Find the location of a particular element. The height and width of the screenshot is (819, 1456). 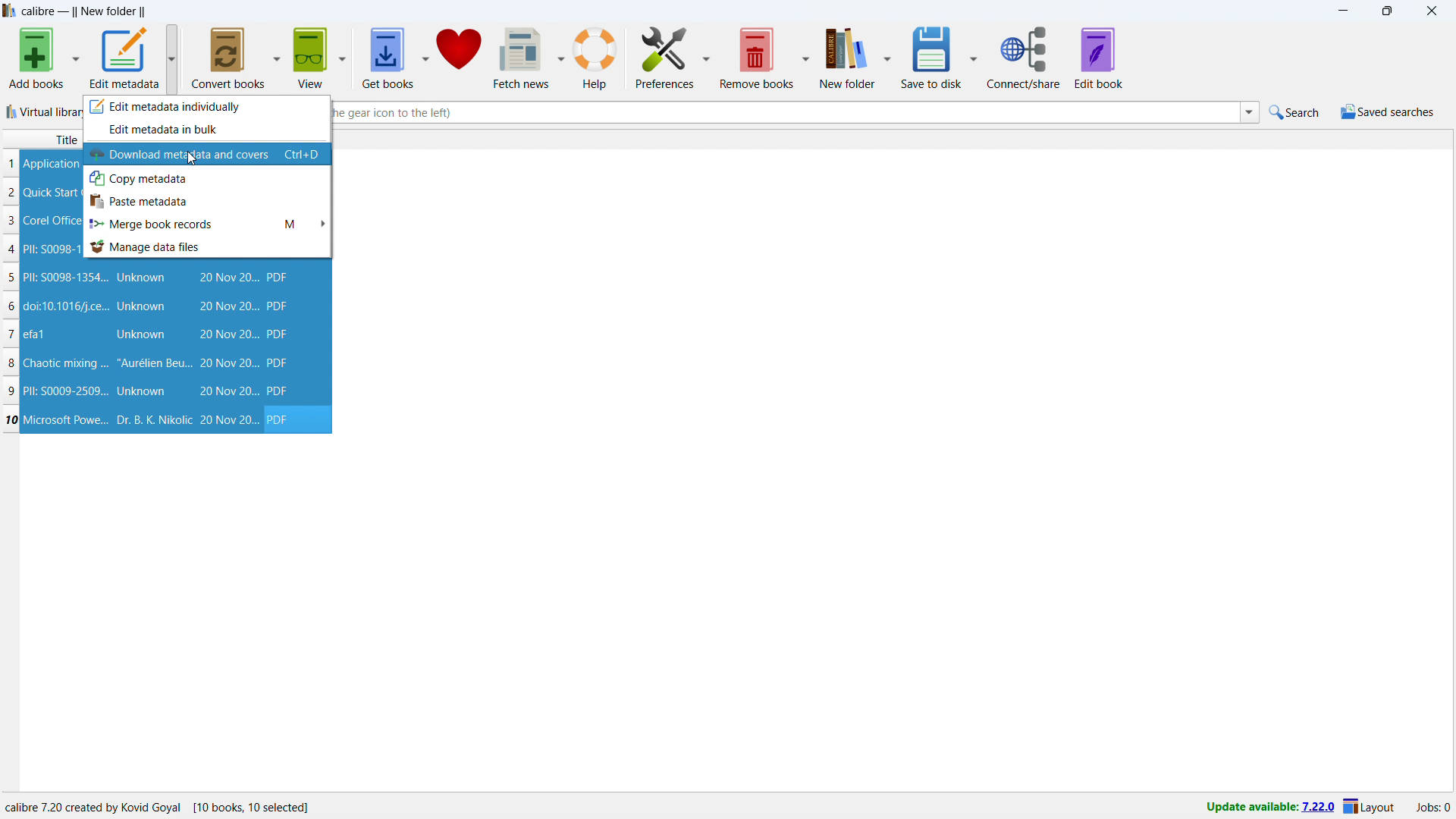

active jobs is located at coordinates (1434, 808).